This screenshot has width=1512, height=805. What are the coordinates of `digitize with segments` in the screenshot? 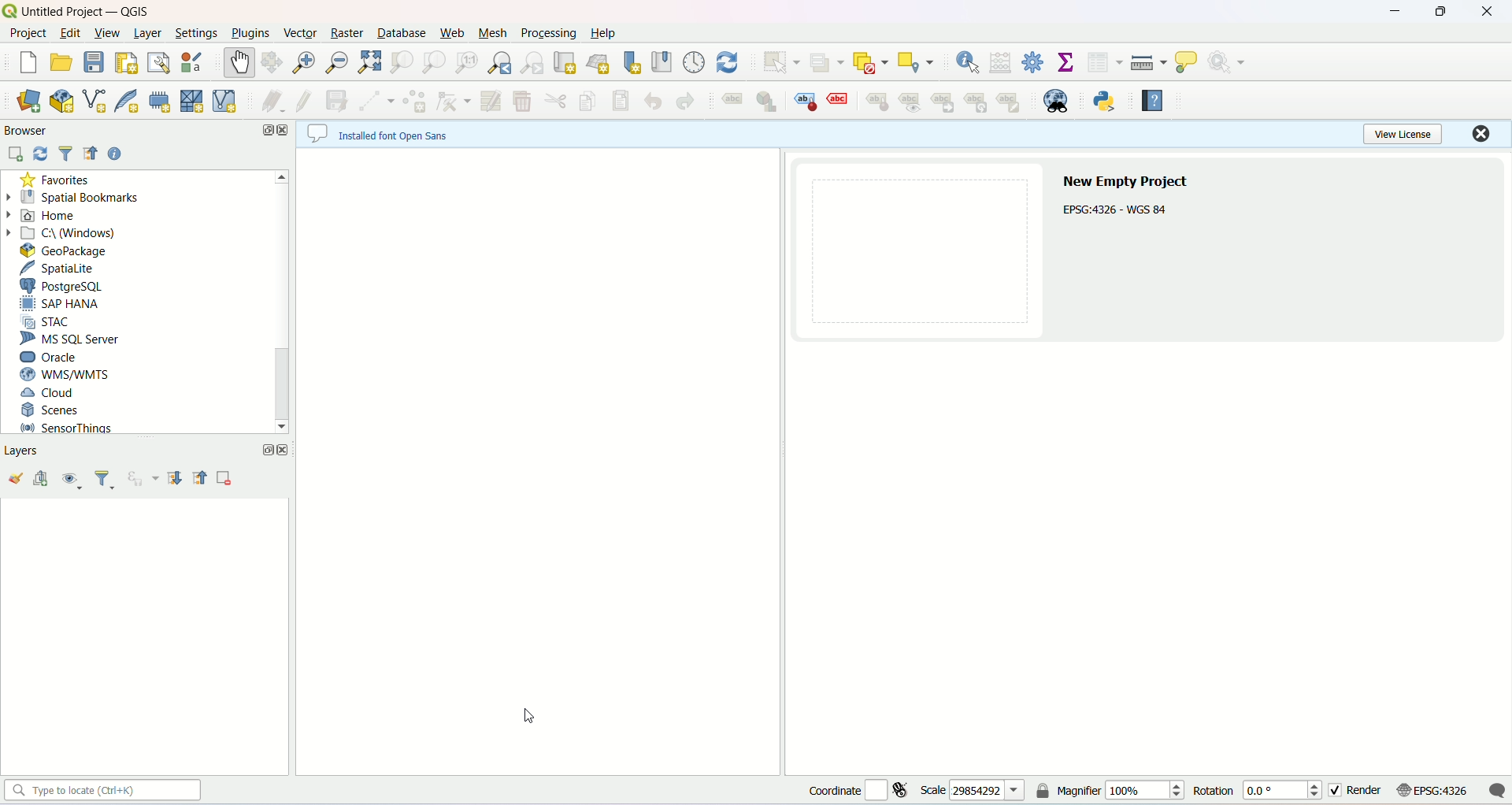 It's located at (371, 100).